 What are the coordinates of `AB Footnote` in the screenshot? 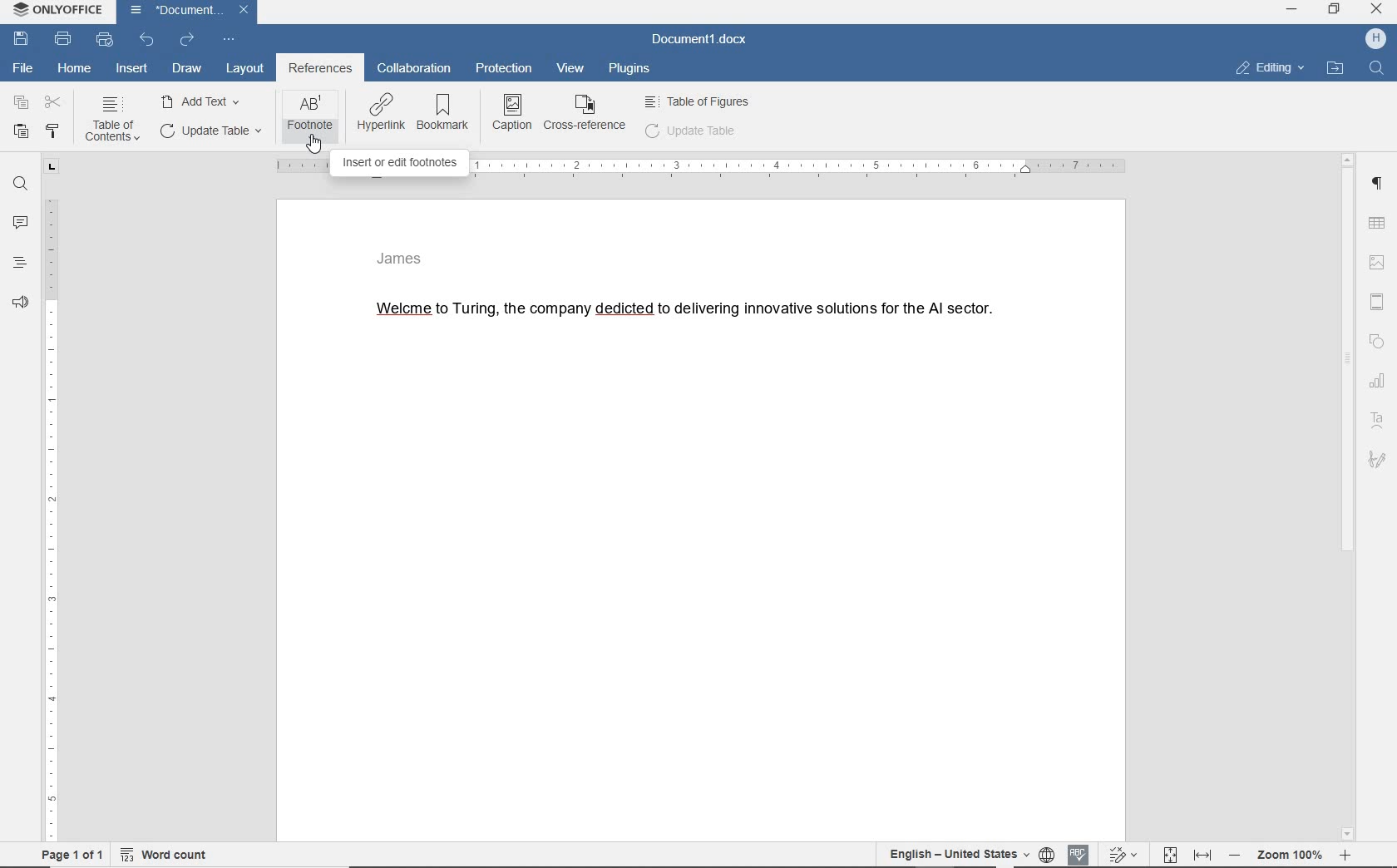 It's located at (310, 117).